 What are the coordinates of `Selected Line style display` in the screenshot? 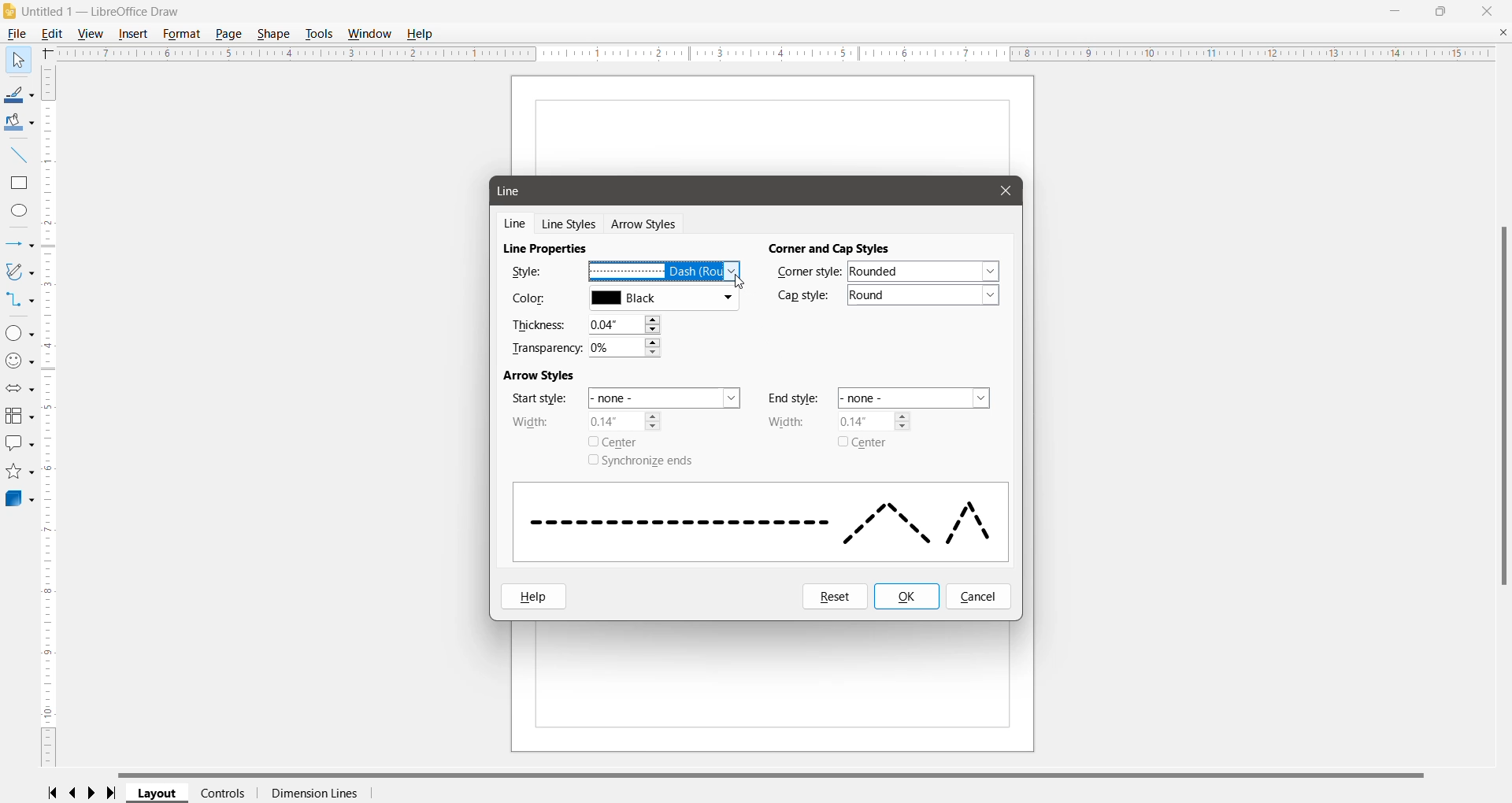 It's located at (759, 522).